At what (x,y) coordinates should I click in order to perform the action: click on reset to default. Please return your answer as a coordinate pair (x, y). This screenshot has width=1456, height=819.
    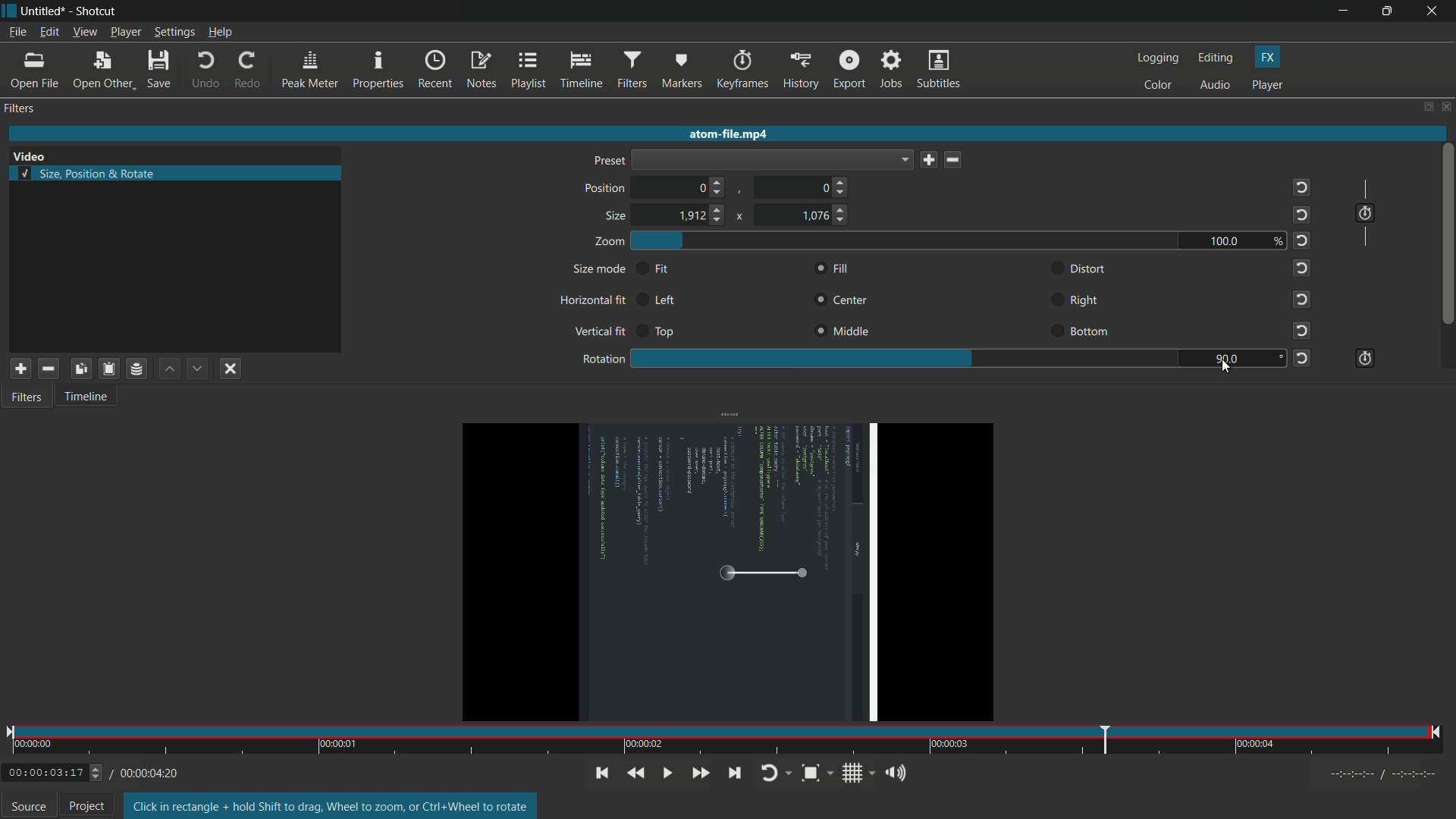
    Looking at the image, I should click on (1303, 187).